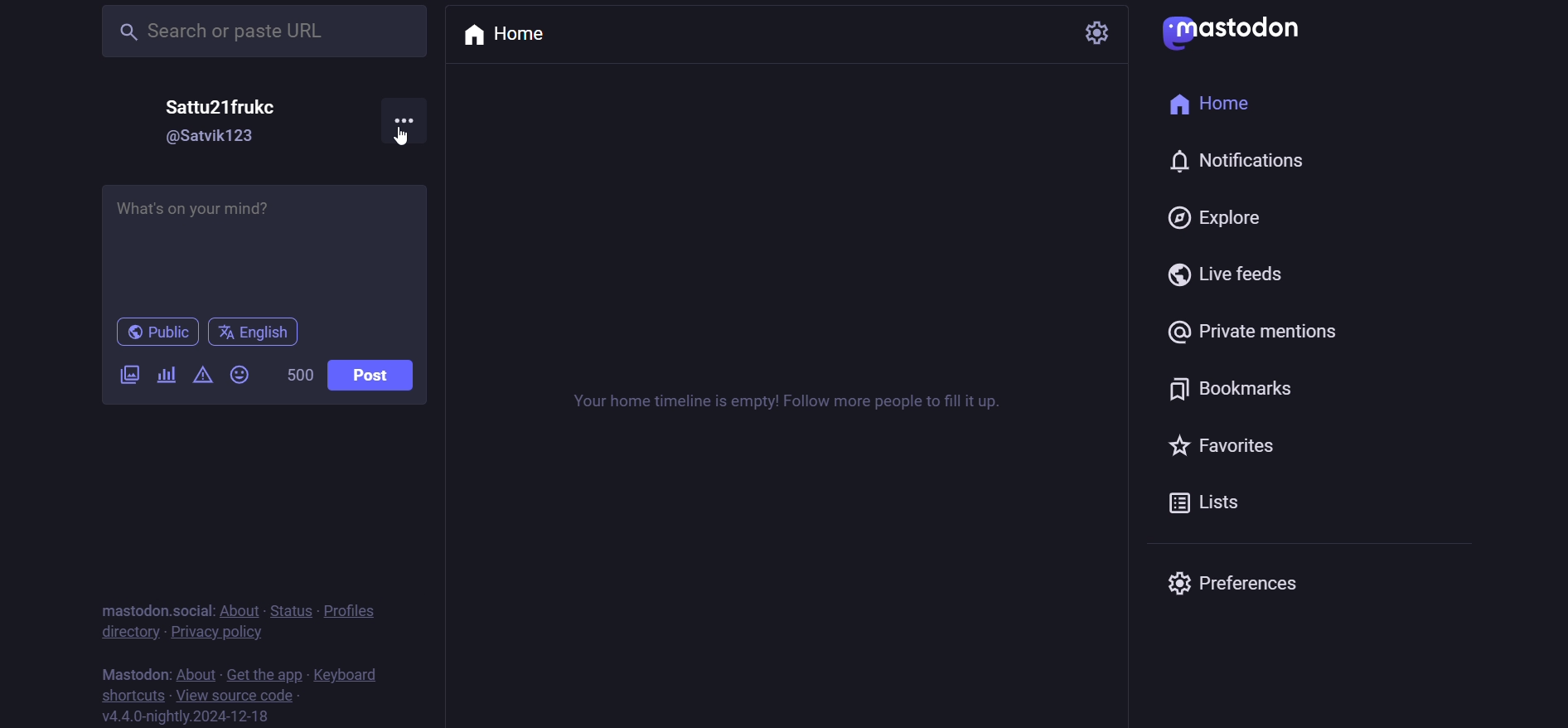 This screenshot has height=728, width=1568. What do you see at coordinates (298, 376) in the screenshot?
I see `word limit` at bounding box center [298, 376].